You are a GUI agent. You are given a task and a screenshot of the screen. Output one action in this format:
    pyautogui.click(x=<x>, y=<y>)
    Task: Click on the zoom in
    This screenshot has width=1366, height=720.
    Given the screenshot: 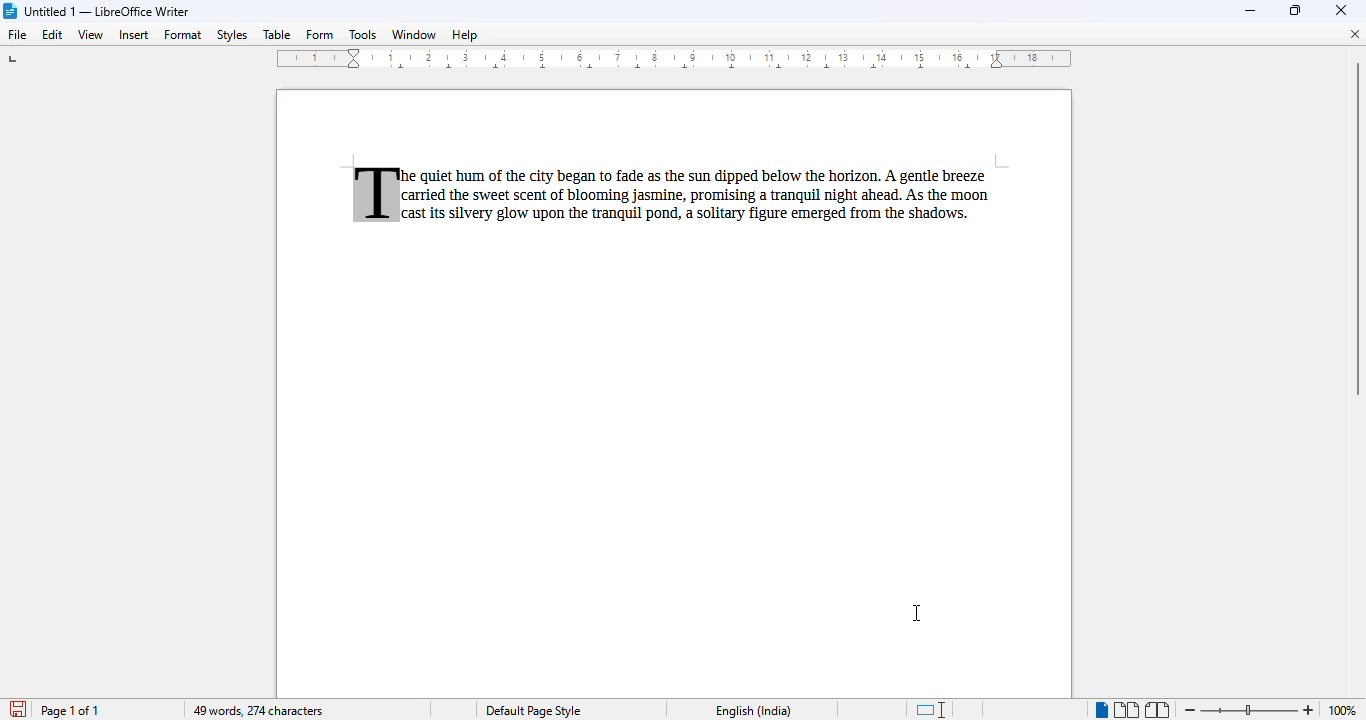 What is the action you would take?
    pyautogui.click(x=1308, y=710)
    